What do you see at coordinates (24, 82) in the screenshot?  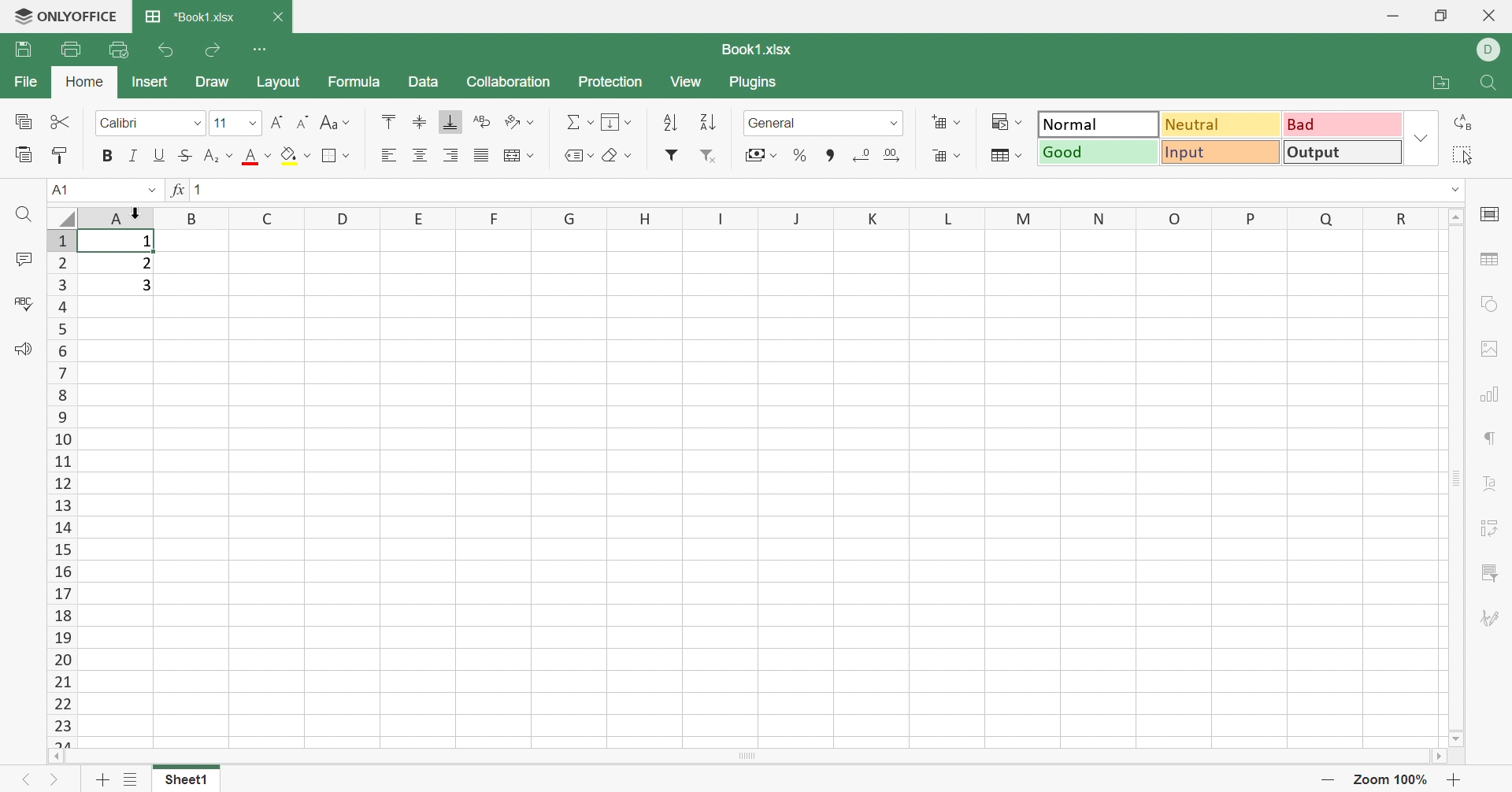 I see `File` at bounding box center [24, 82].